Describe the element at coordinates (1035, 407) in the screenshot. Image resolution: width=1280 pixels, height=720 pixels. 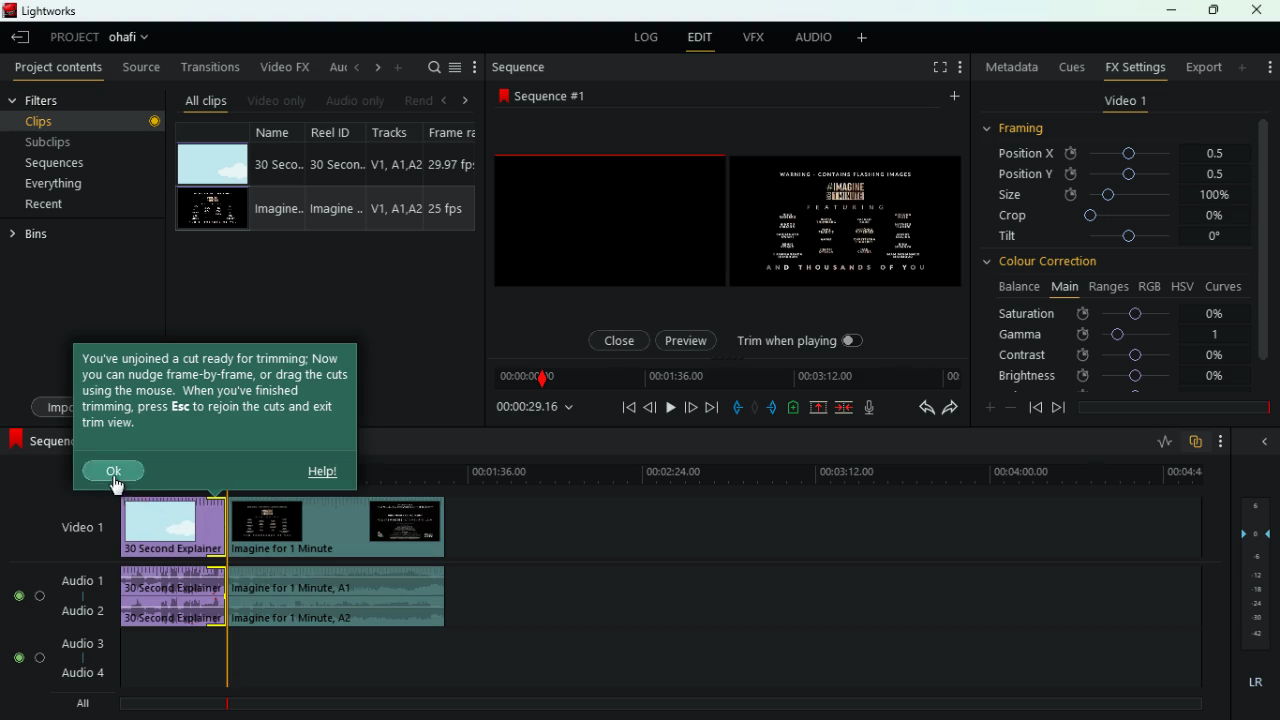
I see `back` at that location.